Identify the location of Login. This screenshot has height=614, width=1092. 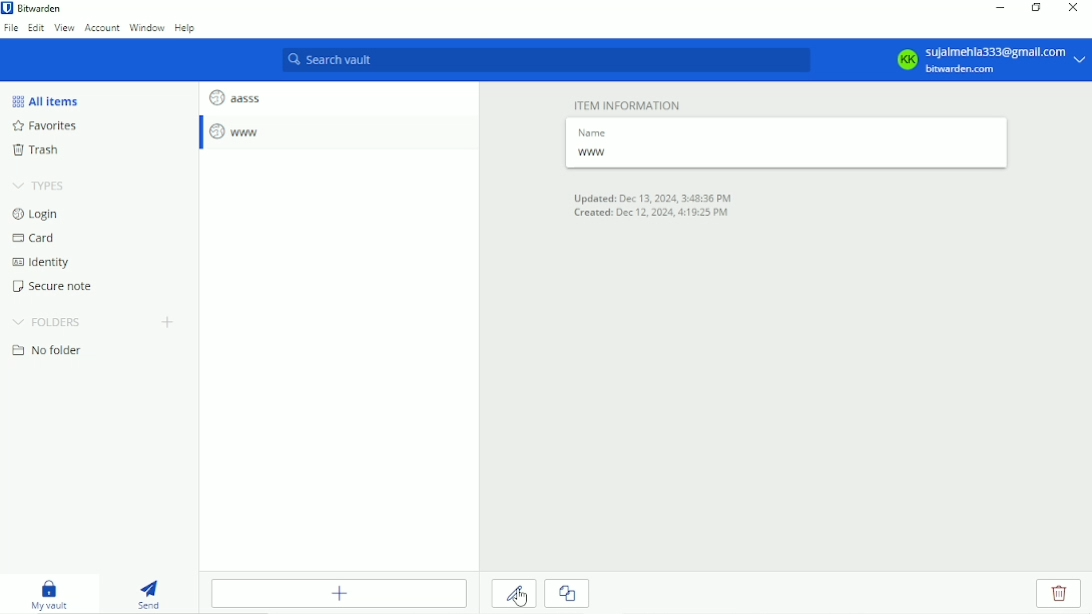
(35, 214).